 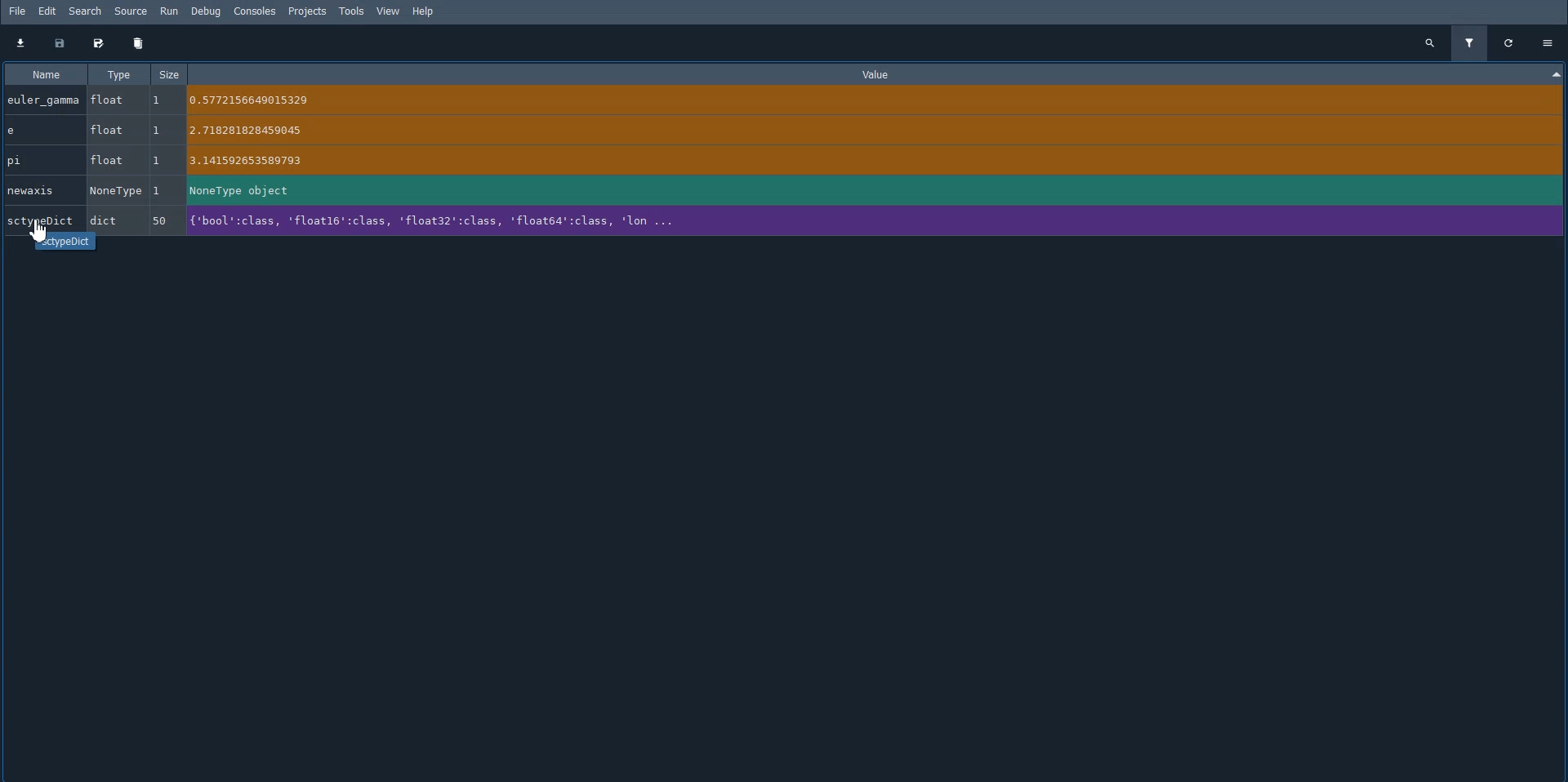 I want to click on Refresh all variables , so click(x=1511, y=42).